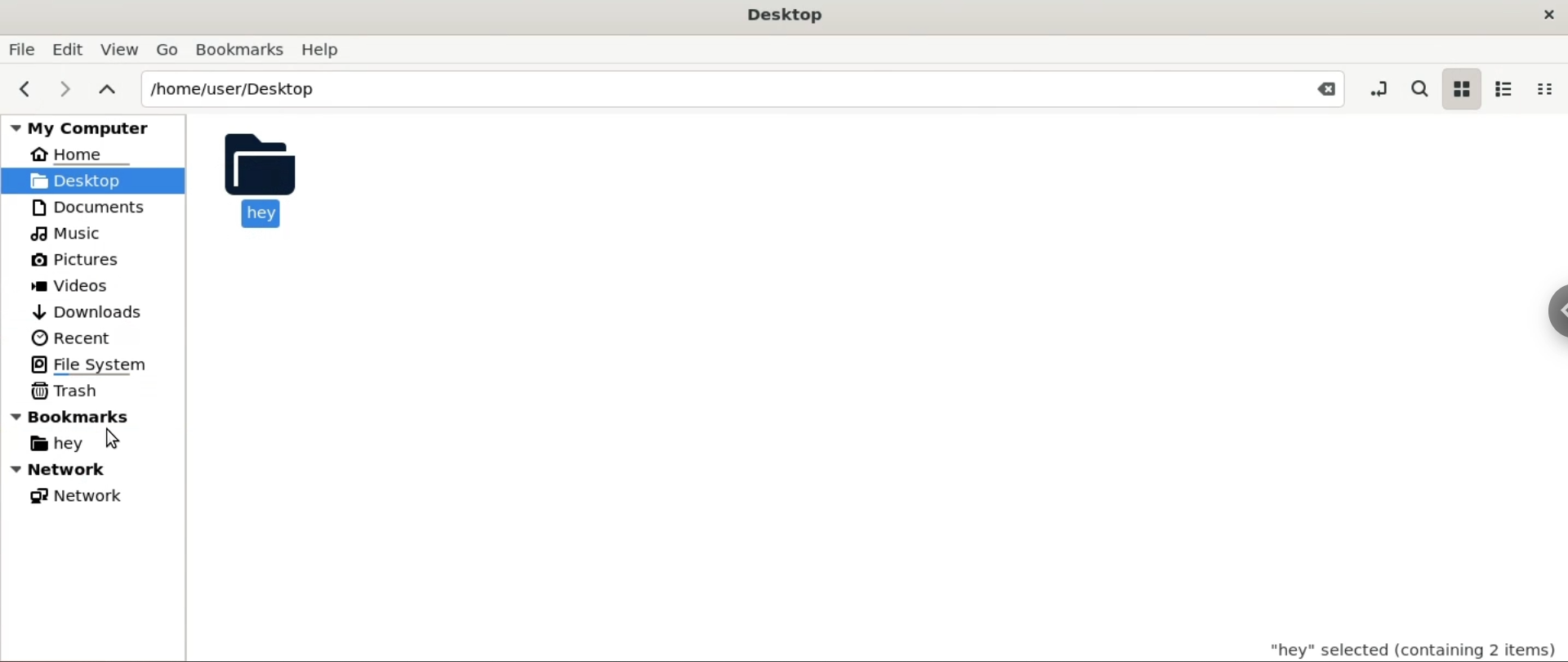 This screenshot has height=662, width=1568. What do you see at coordinates (167, 49) in the screenshot?
I see `Go ` at bounding box center [167, 49].